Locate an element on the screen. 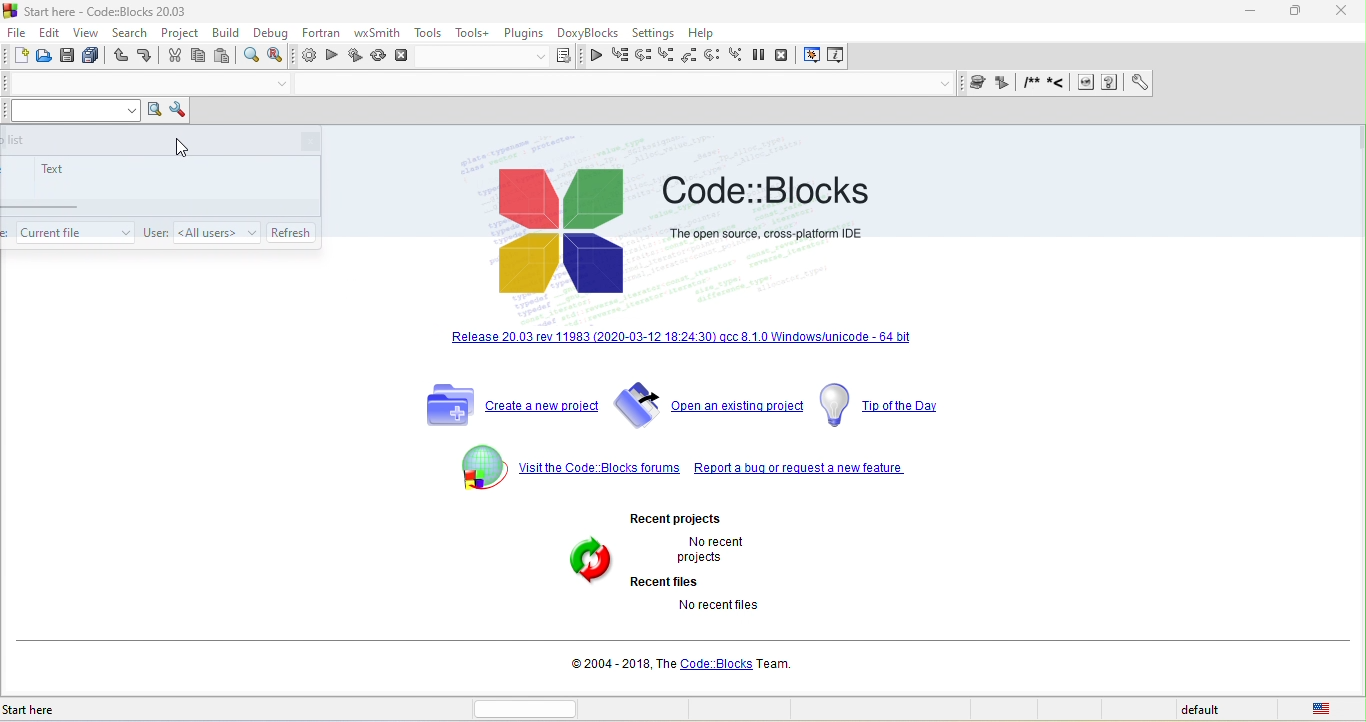 This screenshot has width=1366, height=722. code blocks is located at coordinates (565, 233).